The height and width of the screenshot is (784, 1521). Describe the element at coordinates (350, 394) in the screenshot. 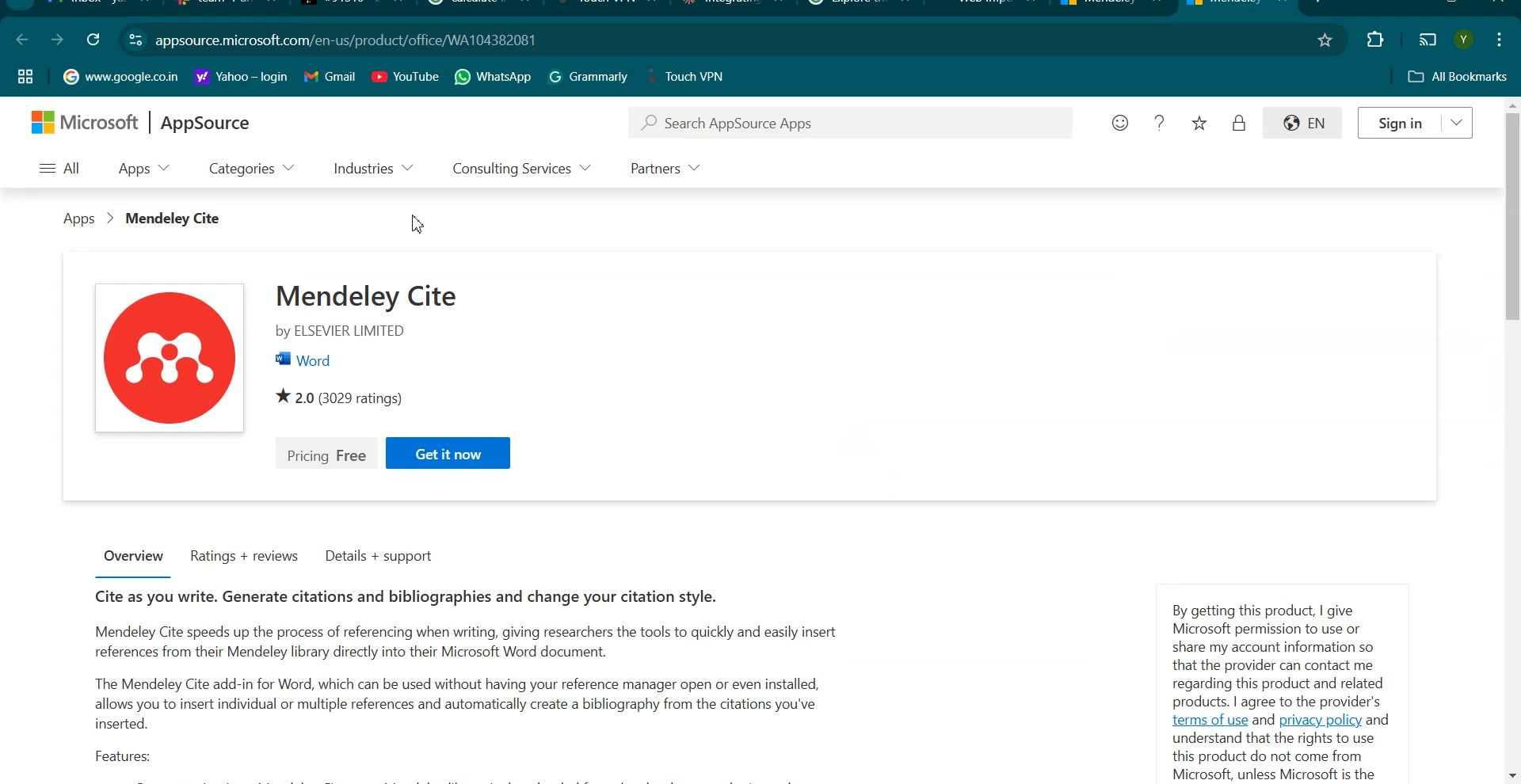

I see `2.0 (3029 ratings)` at that location.